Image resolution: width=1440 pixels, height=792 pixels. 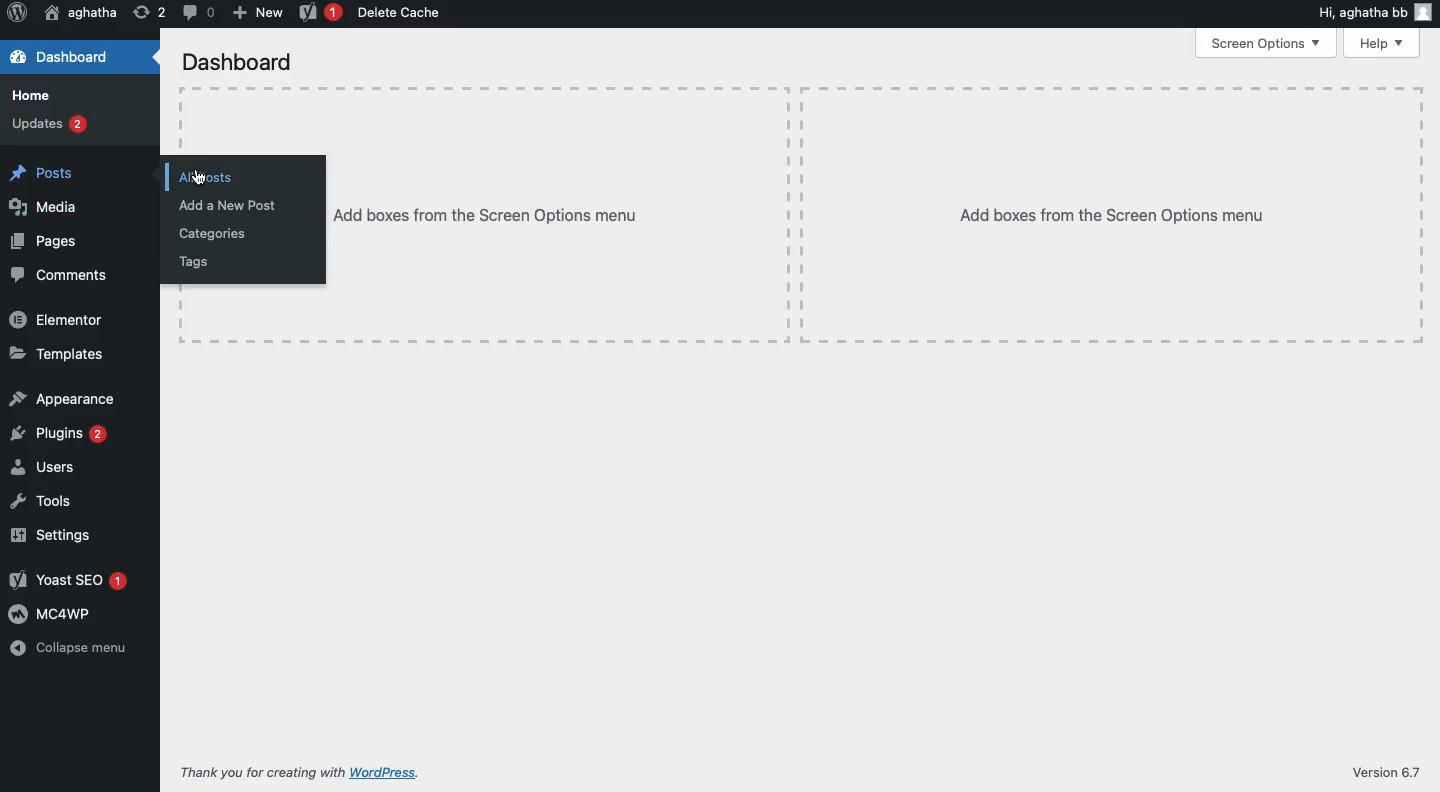 What do you see at coordinates (181, 307) in the screenshot?
I see `Table line` at bounding box center [181, 307].